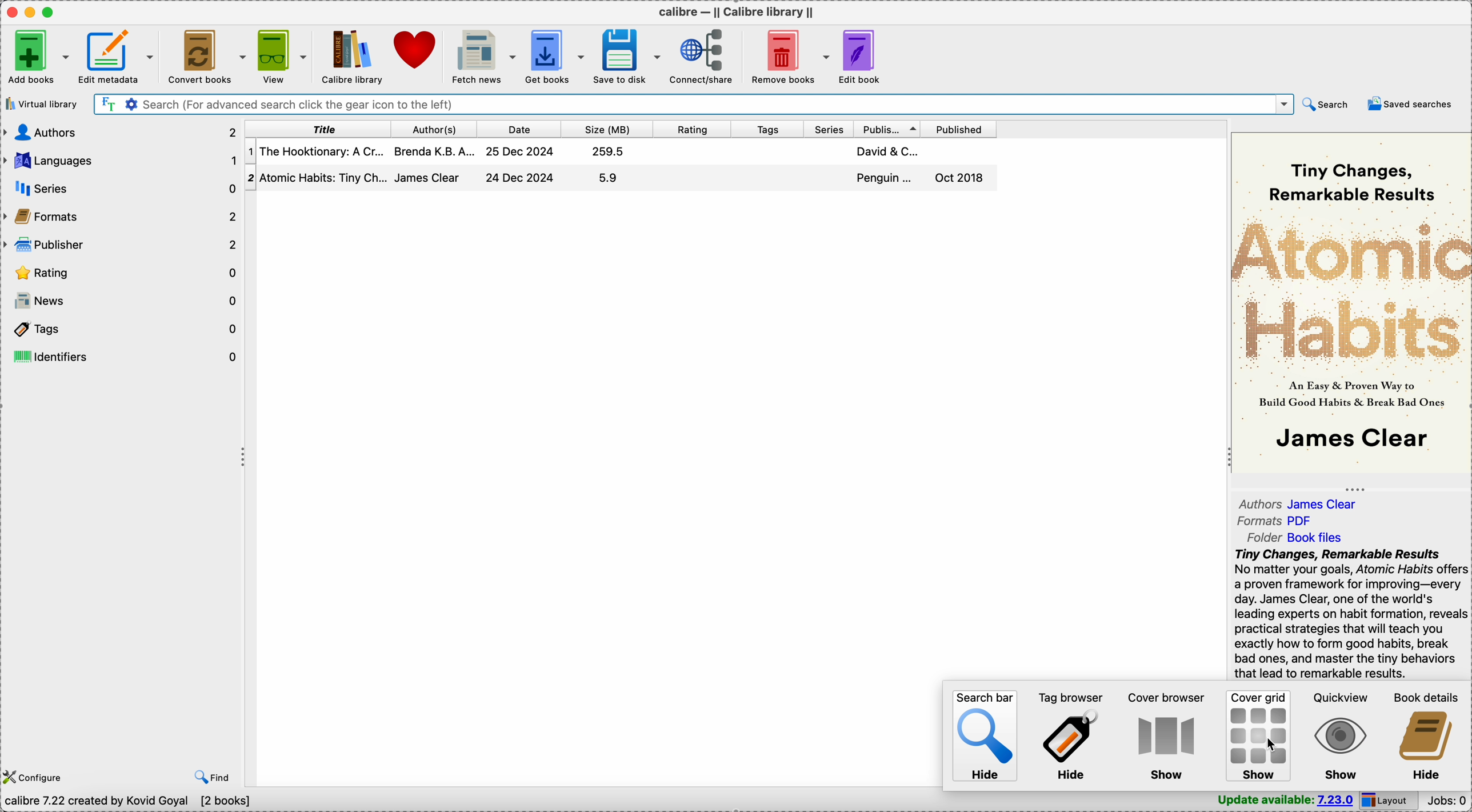  What do you see at coordinates (887, 151) in the screenshot?
I see `david & C....` at bounding box center [887, 151].